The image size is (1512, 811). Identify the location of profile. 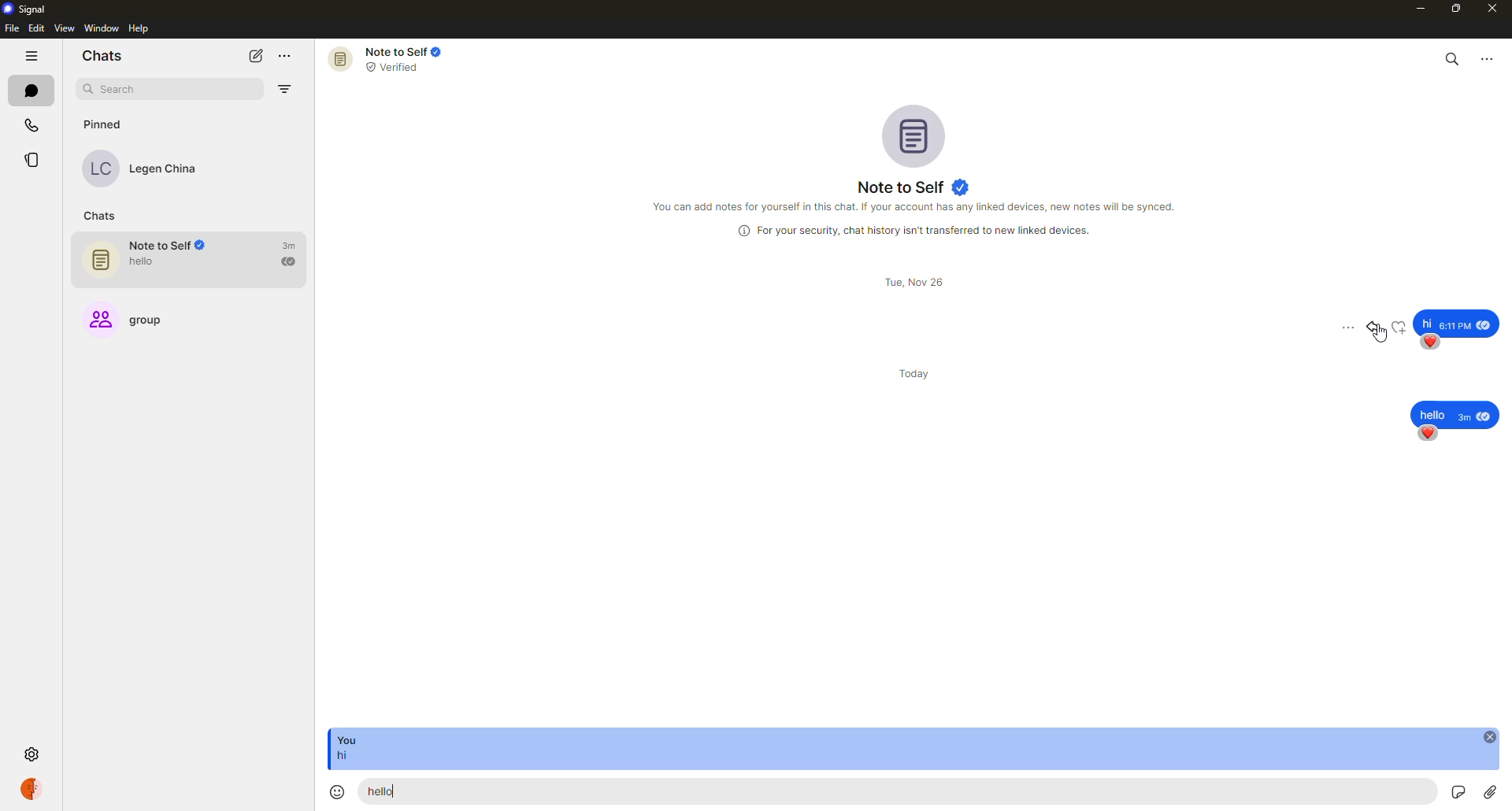
(38, 788).